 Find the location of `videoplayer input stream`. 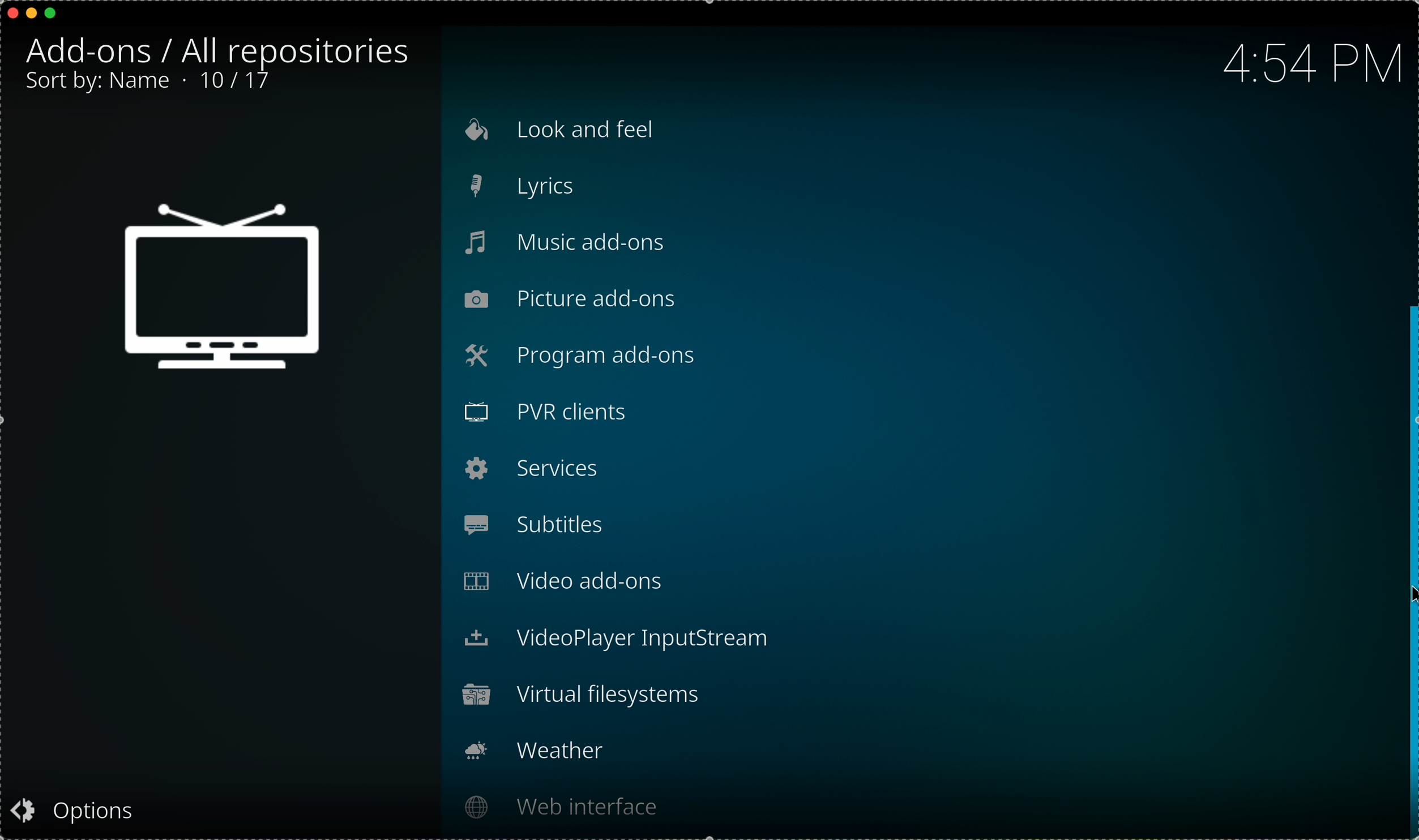

videoplayer input stream is located at coordinates (622, 639).